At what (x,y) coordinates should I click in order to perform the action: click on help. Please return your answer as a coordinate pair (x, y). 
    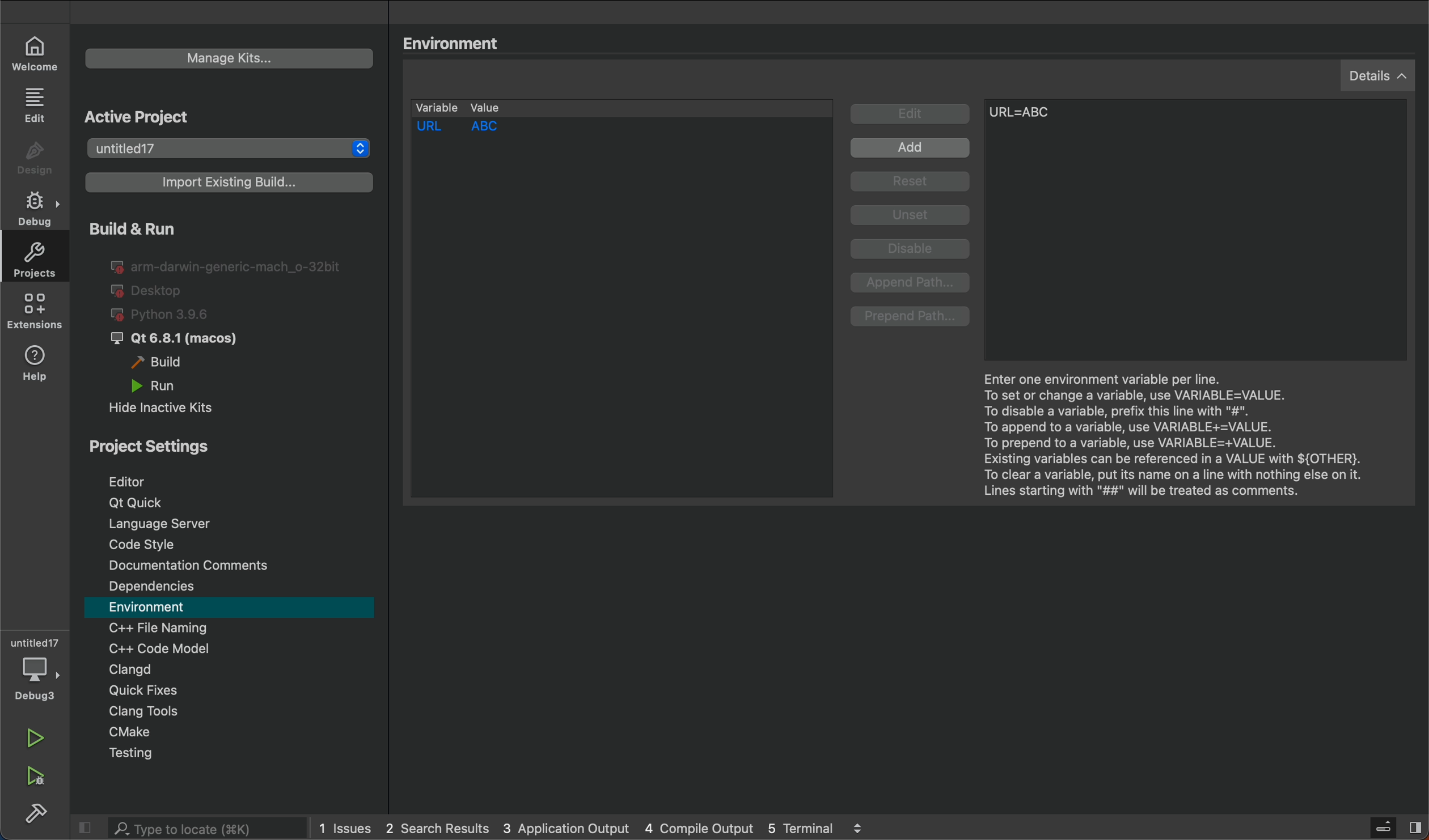
    Looking at the image, I should click on (36, 366).